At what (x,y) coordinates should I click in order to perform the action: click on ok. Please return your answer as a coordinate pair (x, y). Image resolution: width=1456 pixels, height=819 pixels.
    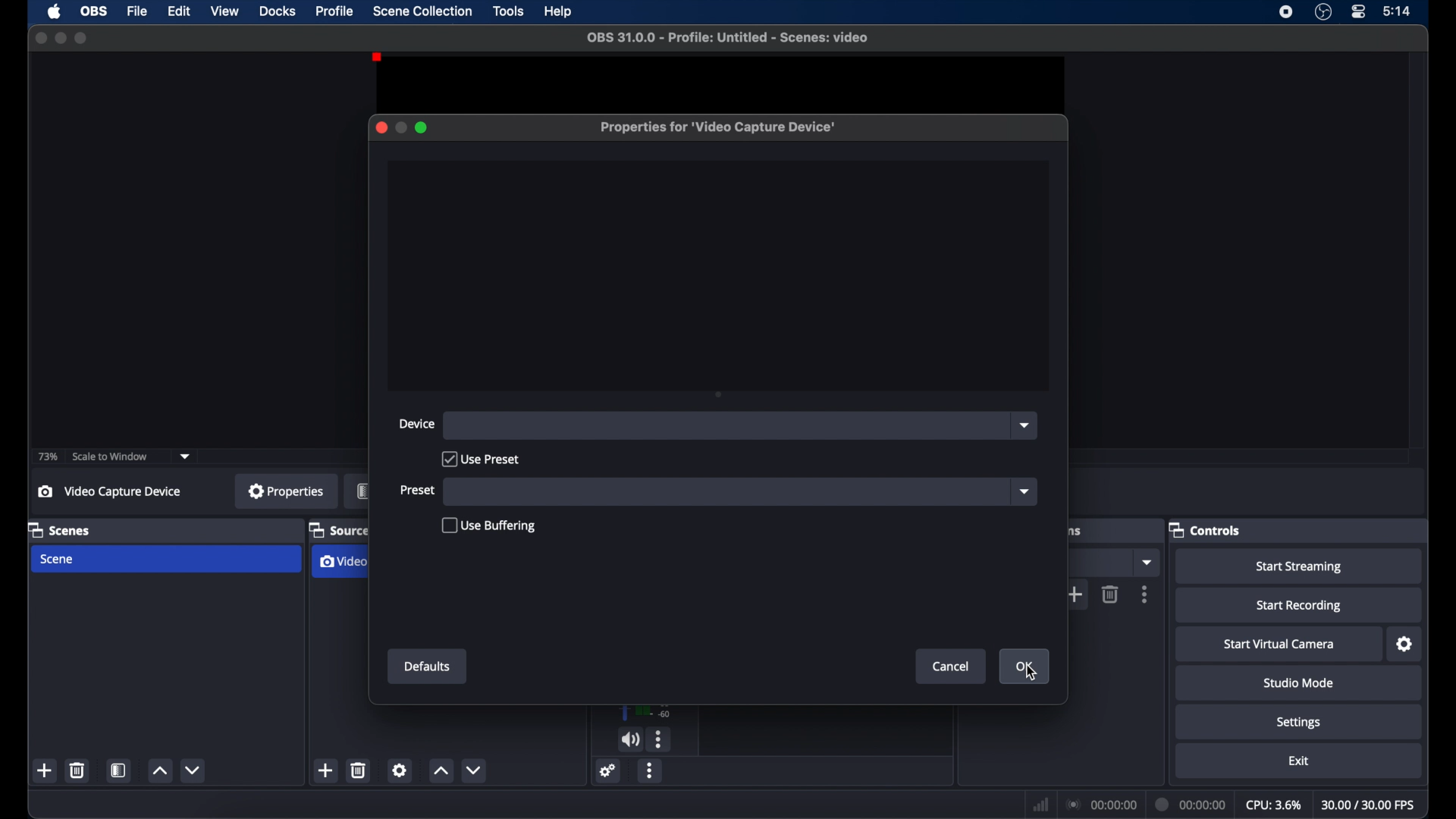
    Looking at the image, I should click on (1025, 666).